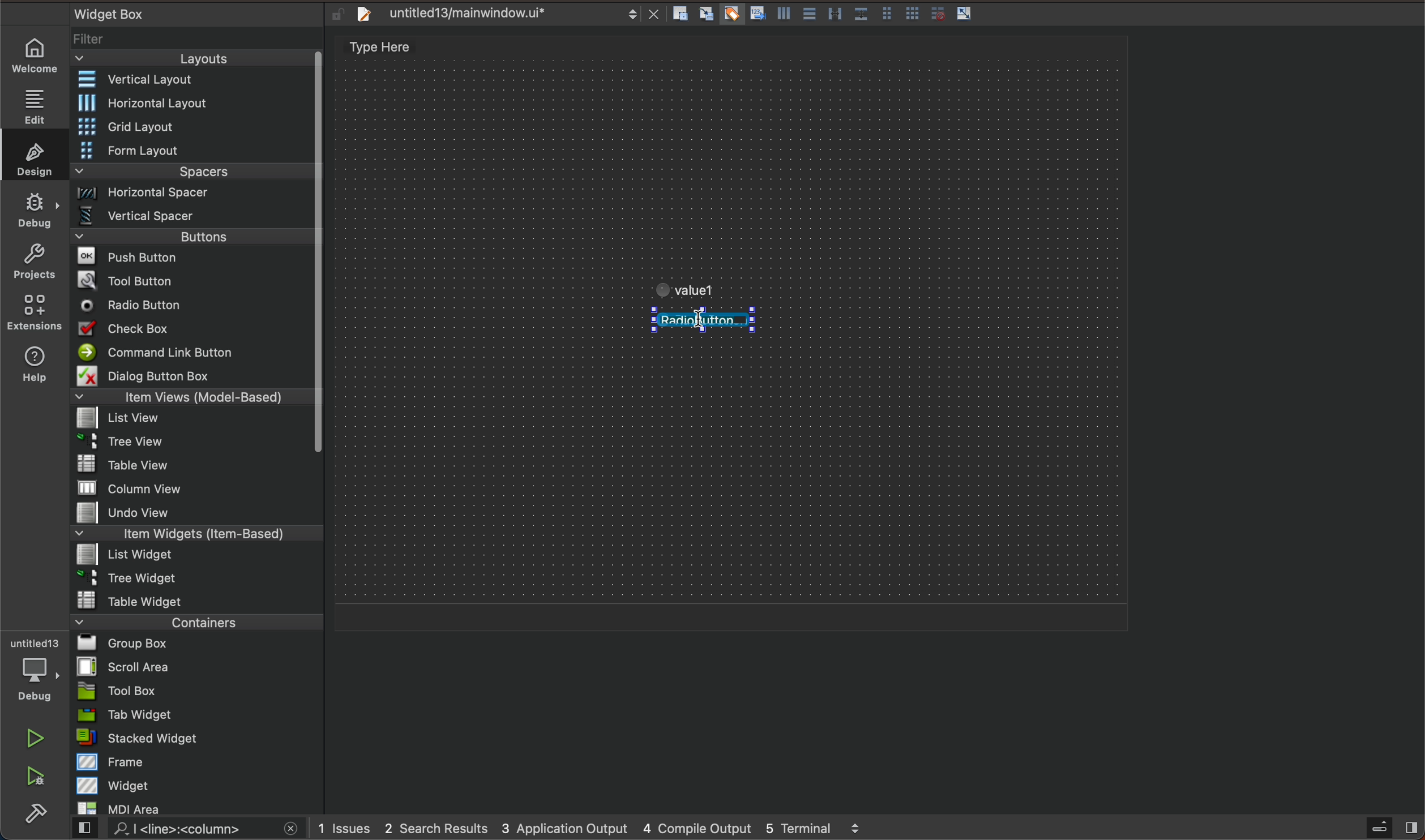 This screenshot has width=1425, height=840. I want to click on stacked widget, so click(198, 738).